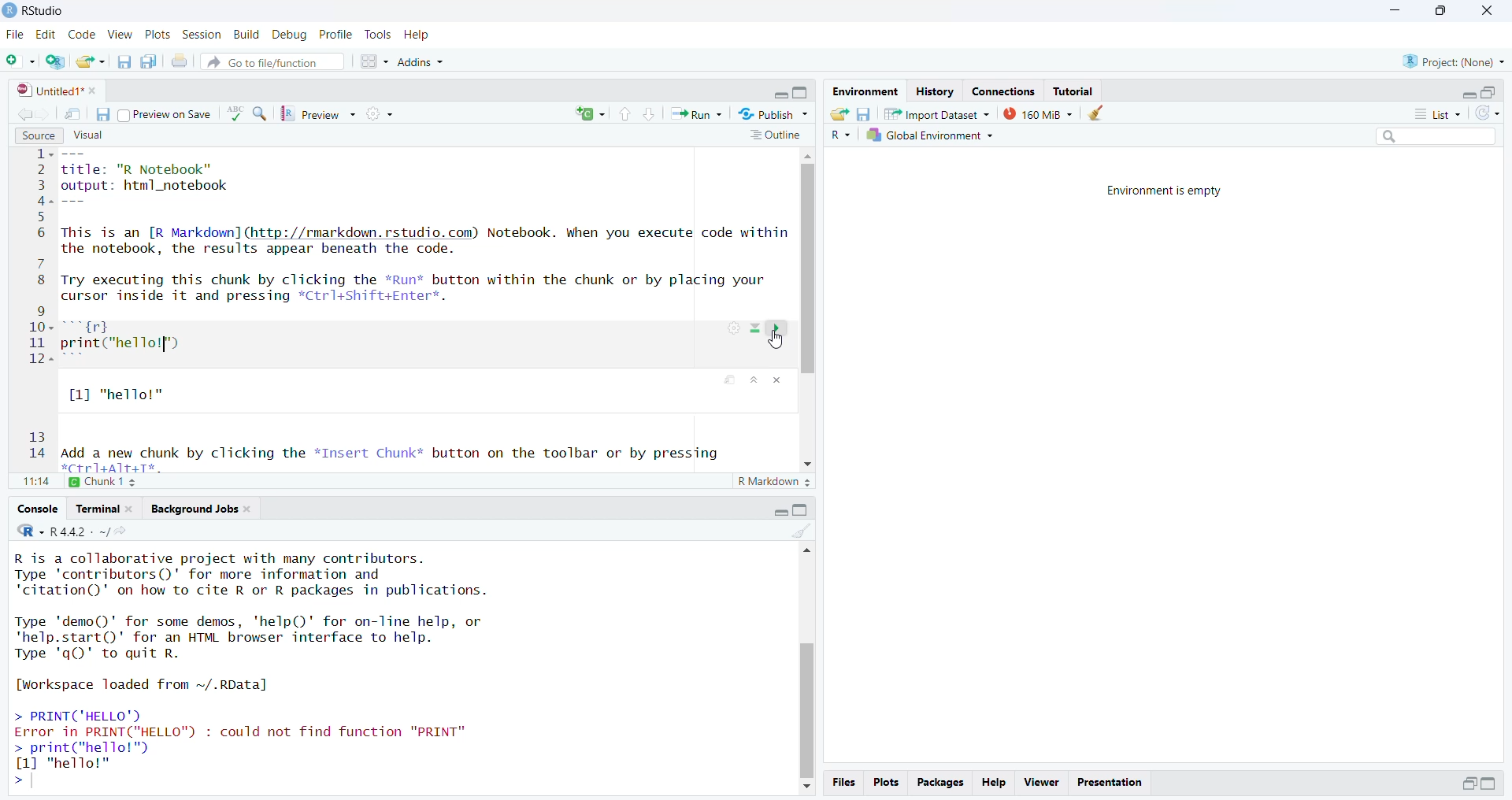 Image resolution: width=1512 pixels, height=800 pixels. What do you see at coordinates (322, 114) in the screenshot?
I see `preview` at bounding box center [322, 114].